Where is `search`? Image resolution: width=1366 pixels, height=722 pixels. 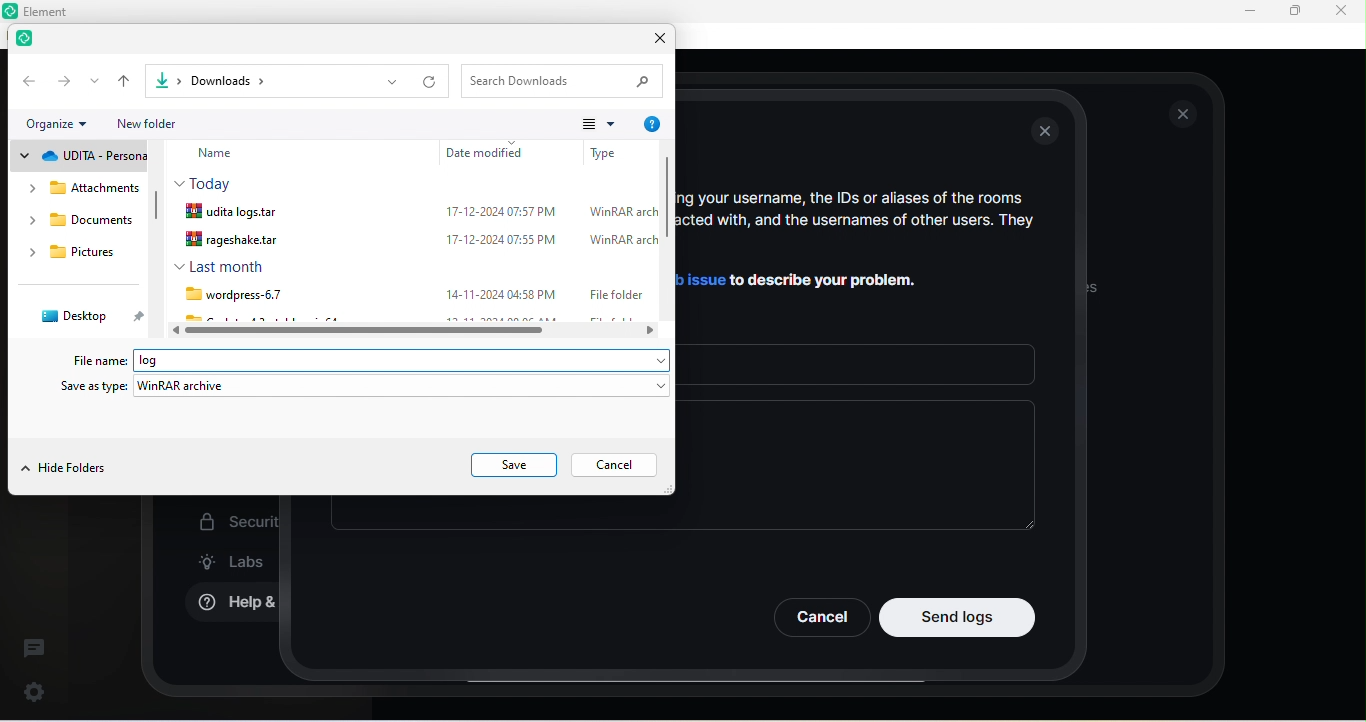
search is located at coordinates (566, 80).